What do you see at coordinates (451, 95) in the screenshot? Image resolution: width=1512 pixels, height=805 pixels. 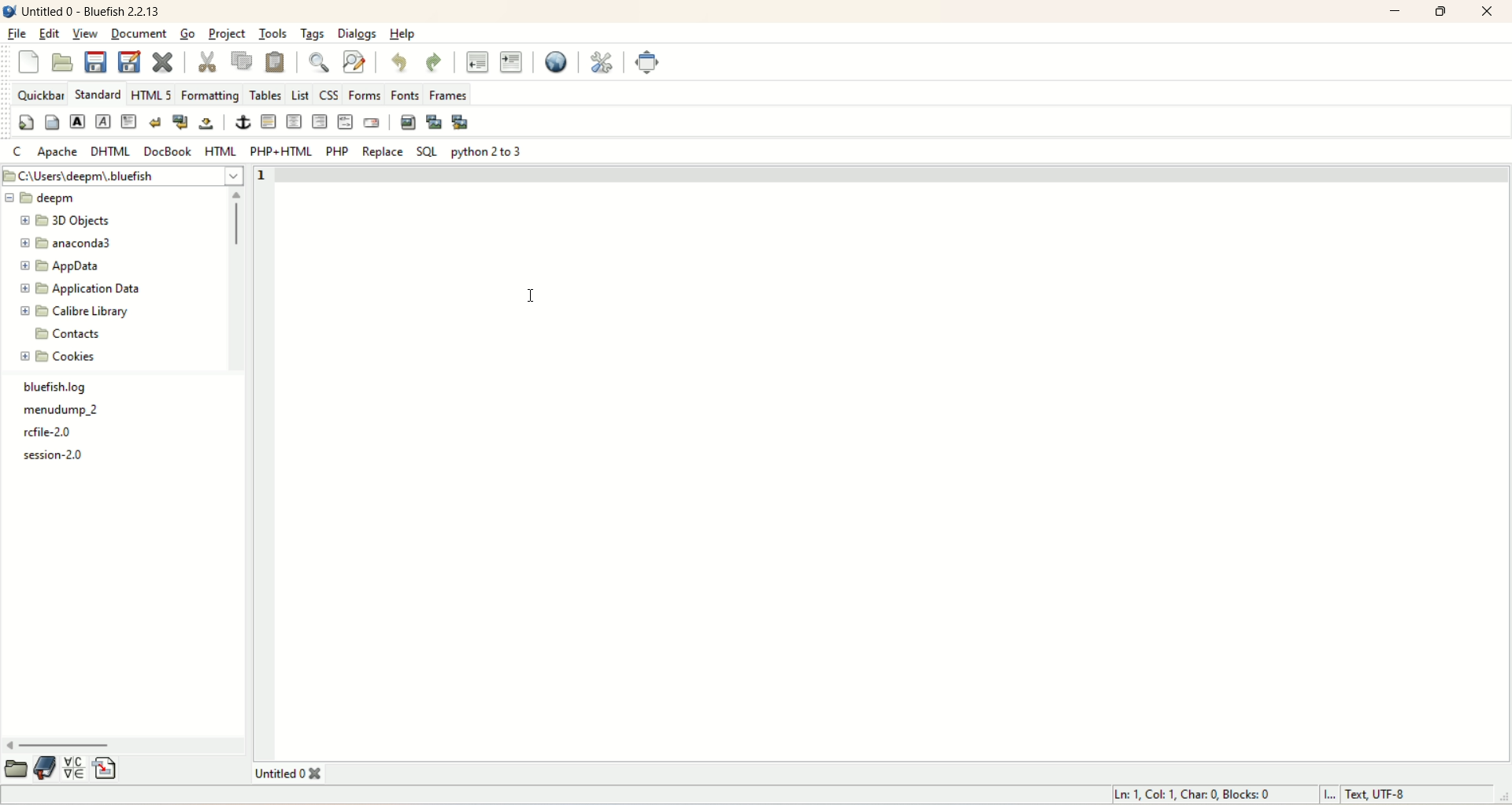 I see `frames` at bounding box center [451, 95].